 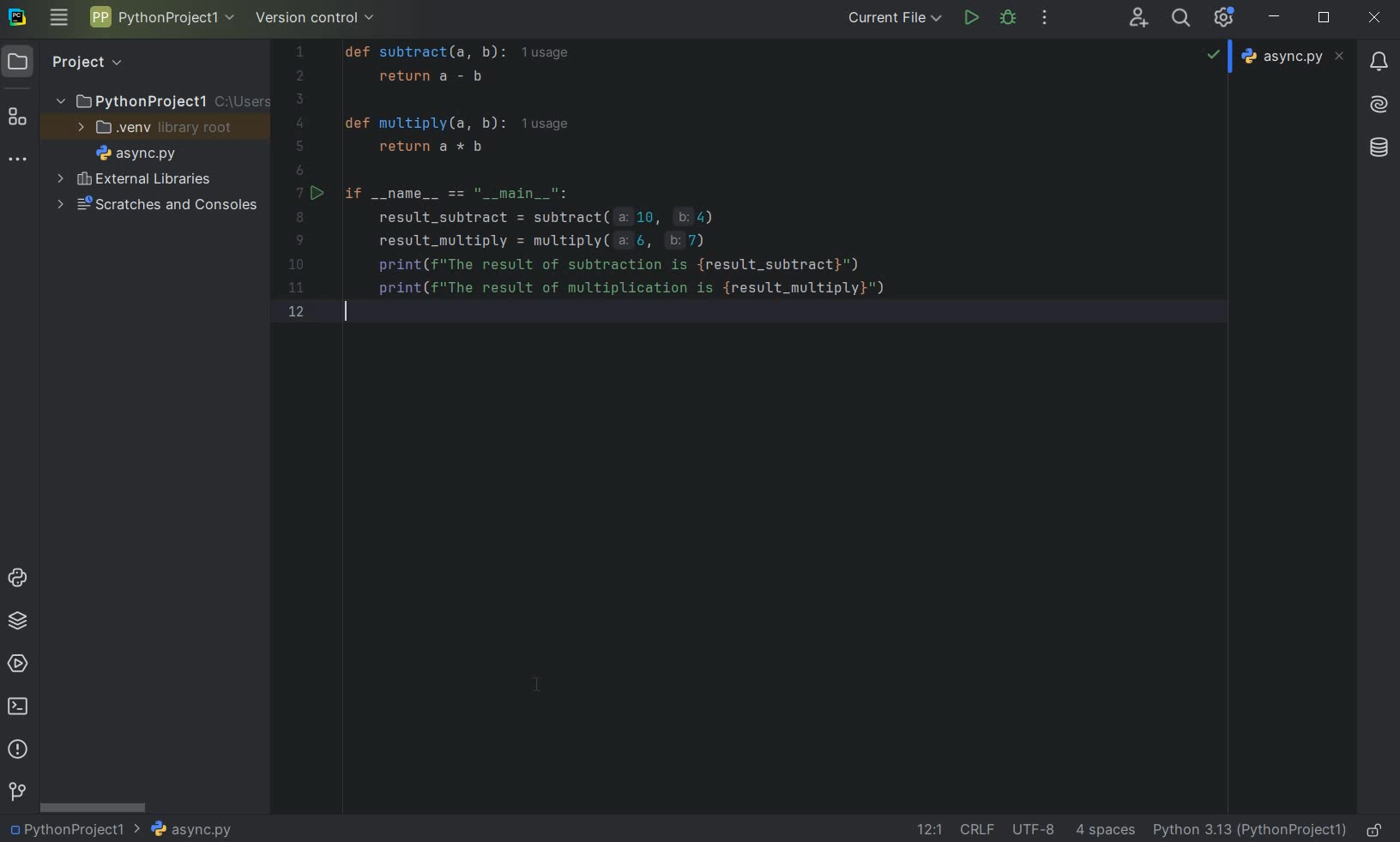 I want to click on services, so click(x=19, y=663).